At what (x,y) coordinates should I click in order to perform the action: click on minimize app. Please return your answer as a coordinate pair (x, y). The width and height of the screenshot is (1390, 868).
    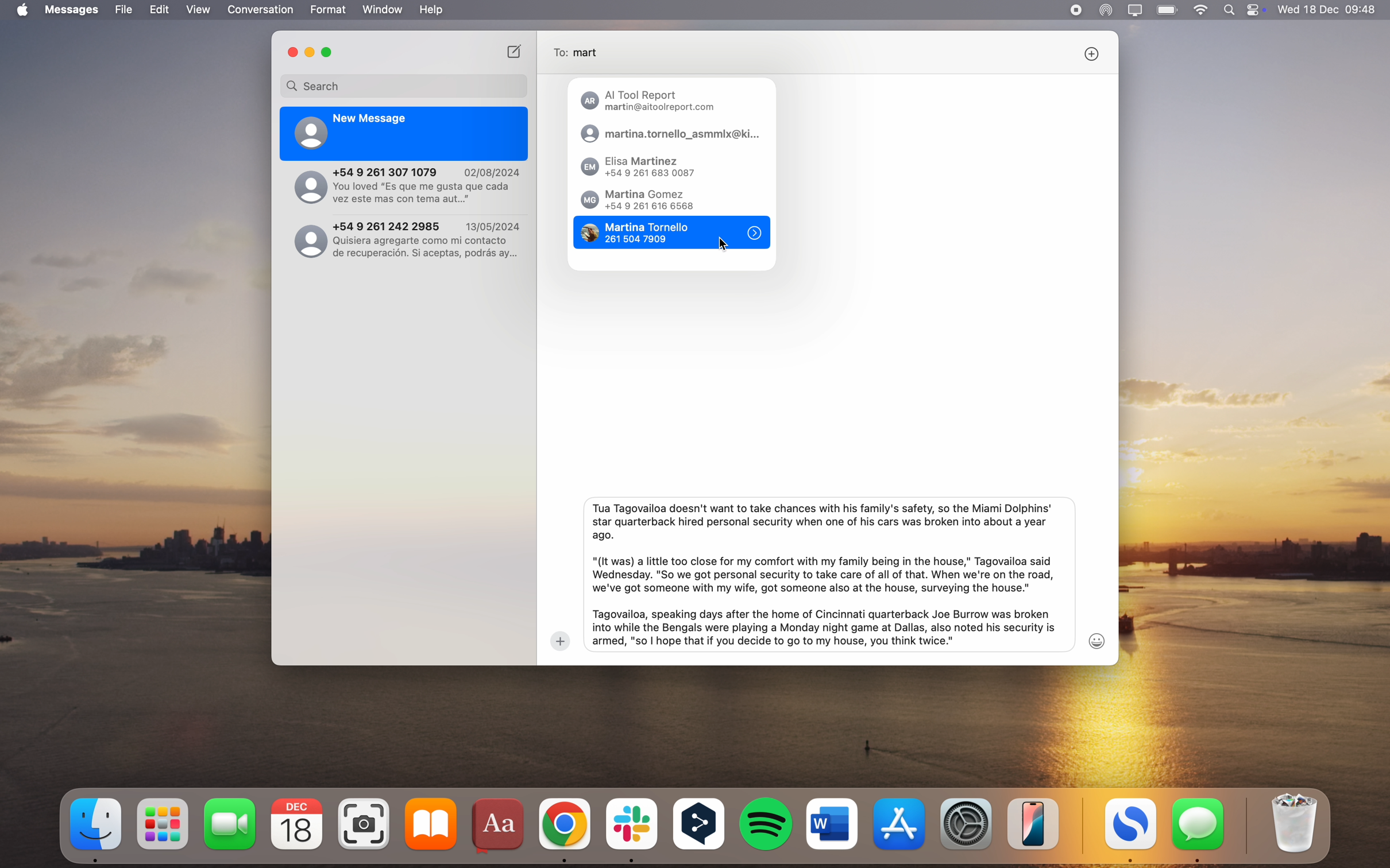
    Looking at the image, I should click on (310, 53).